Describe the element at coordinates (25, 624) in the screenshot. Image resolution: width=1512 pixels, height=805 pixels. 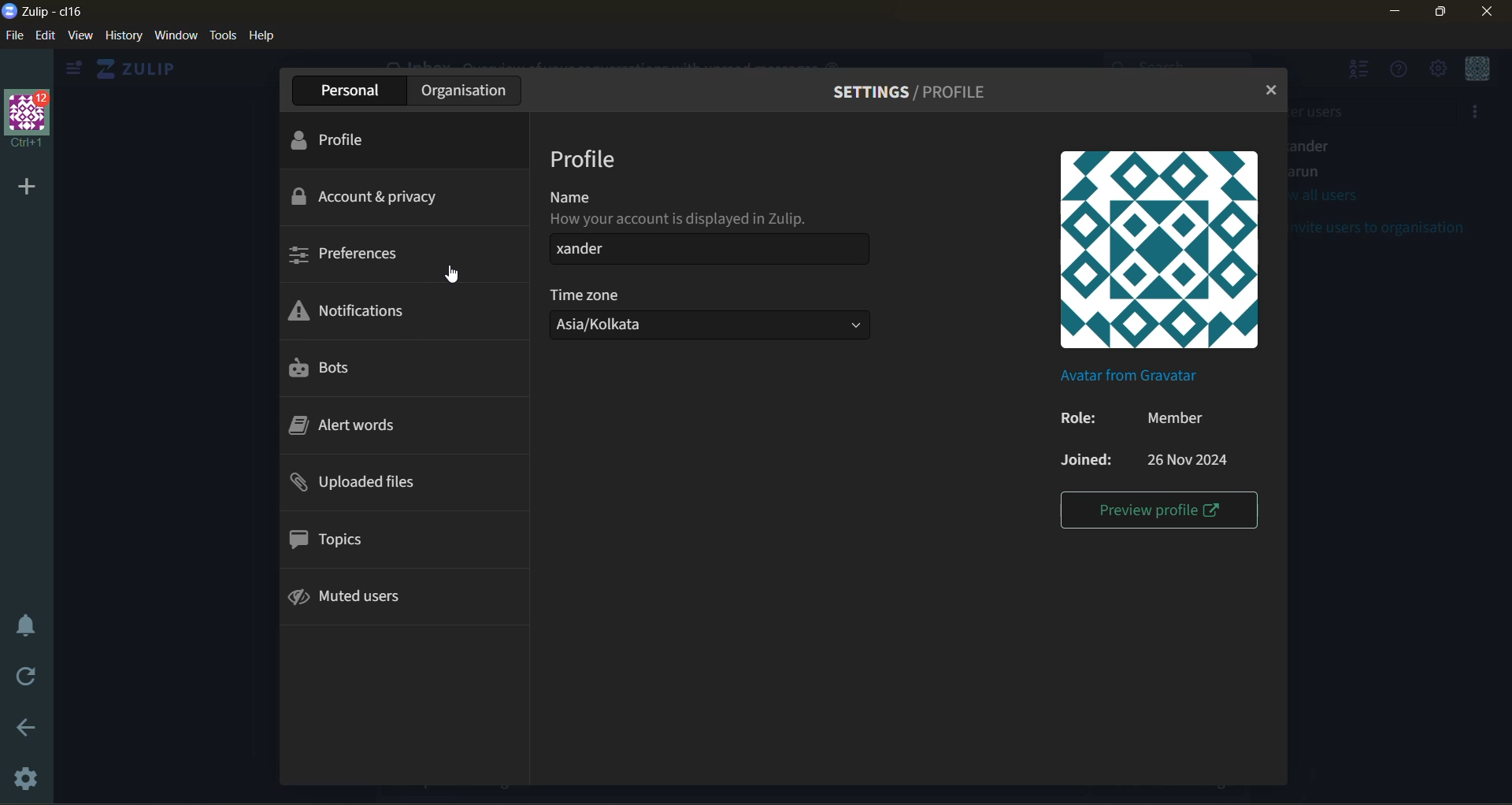
I see `enable do not disturb` at that location.